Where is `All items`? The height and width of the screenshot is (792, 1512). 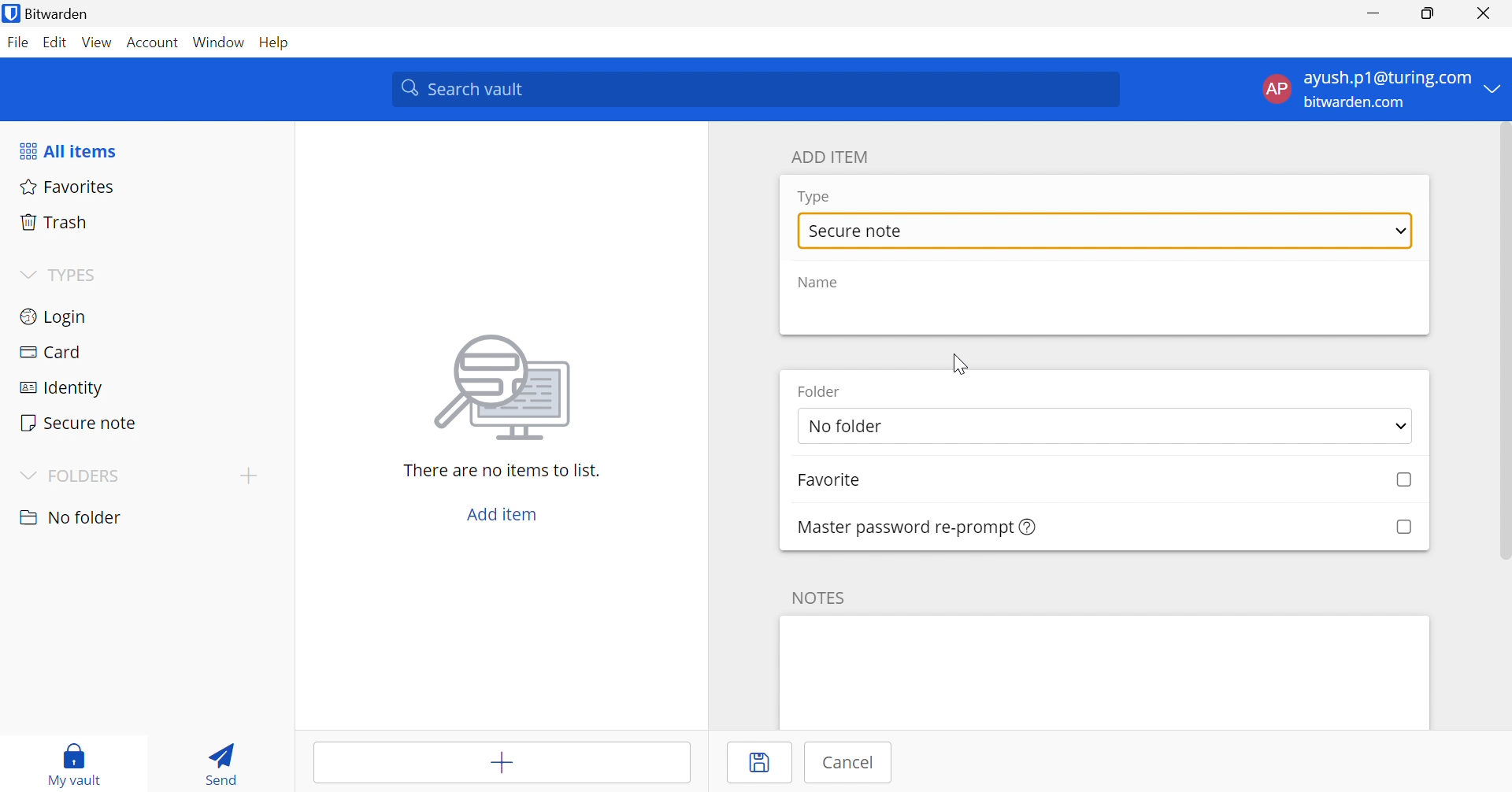 All items is located at coordinates (67, 149).